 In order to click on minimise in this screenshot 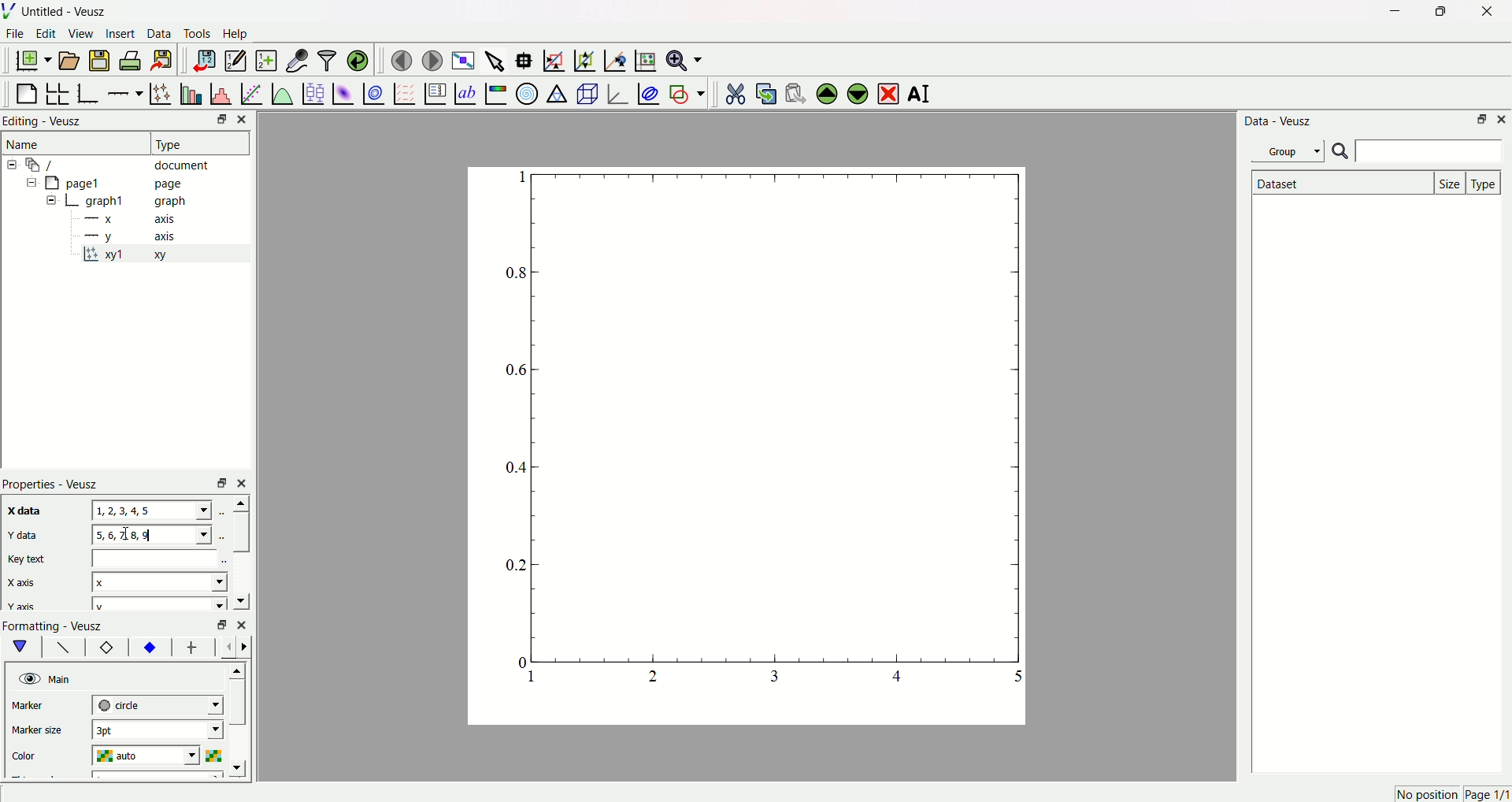, I will do `click(217, 482)`.